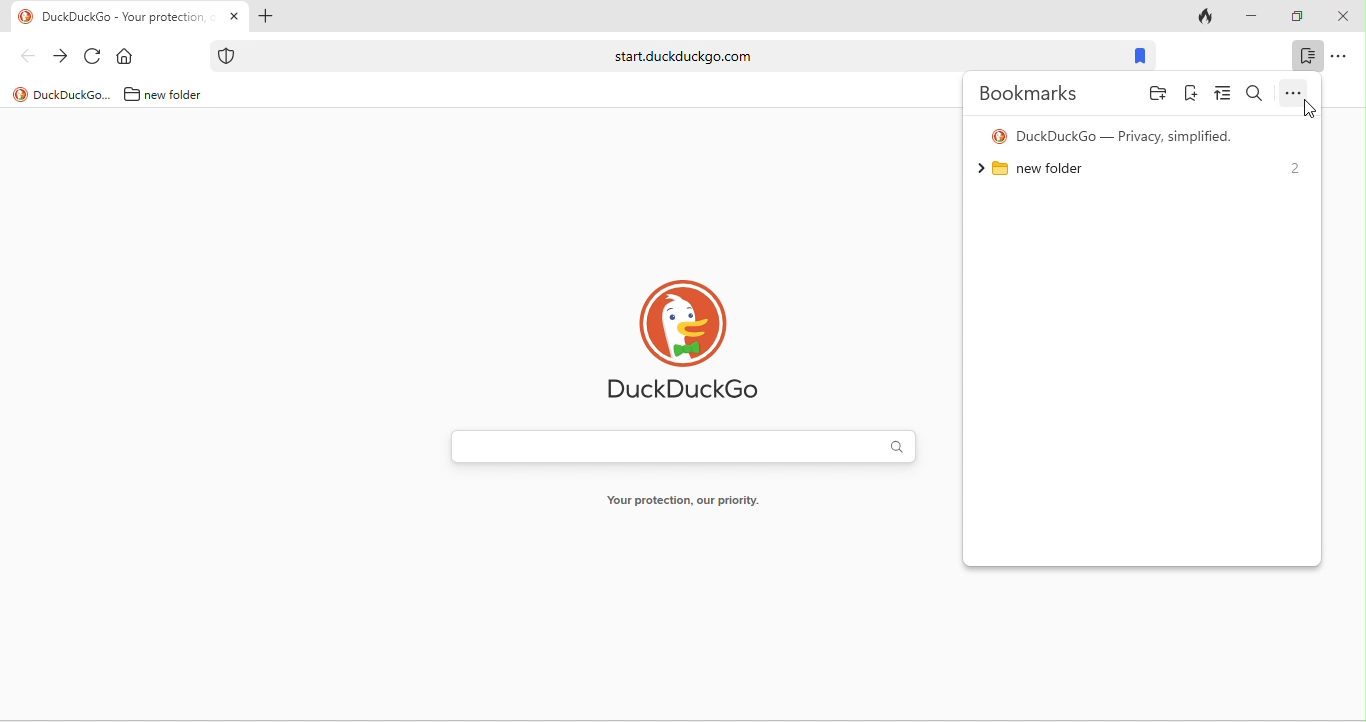  What do you see at coordinates (1295, 93) in the screenshot?
I see `option` at bounding box center [1295, 93].